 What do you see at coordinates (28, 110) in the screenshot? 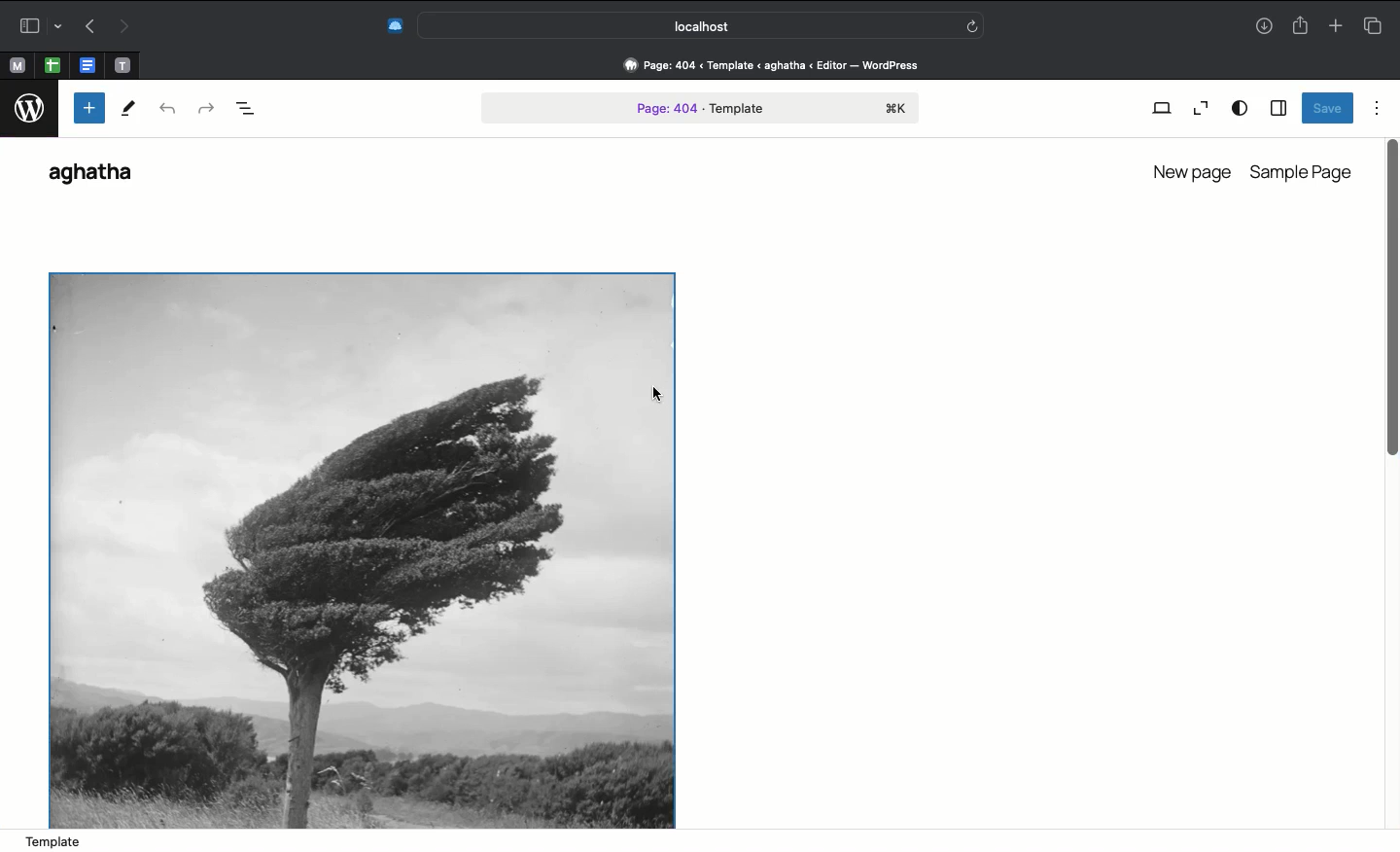
I see `logo` at bounding box center [28, 110].